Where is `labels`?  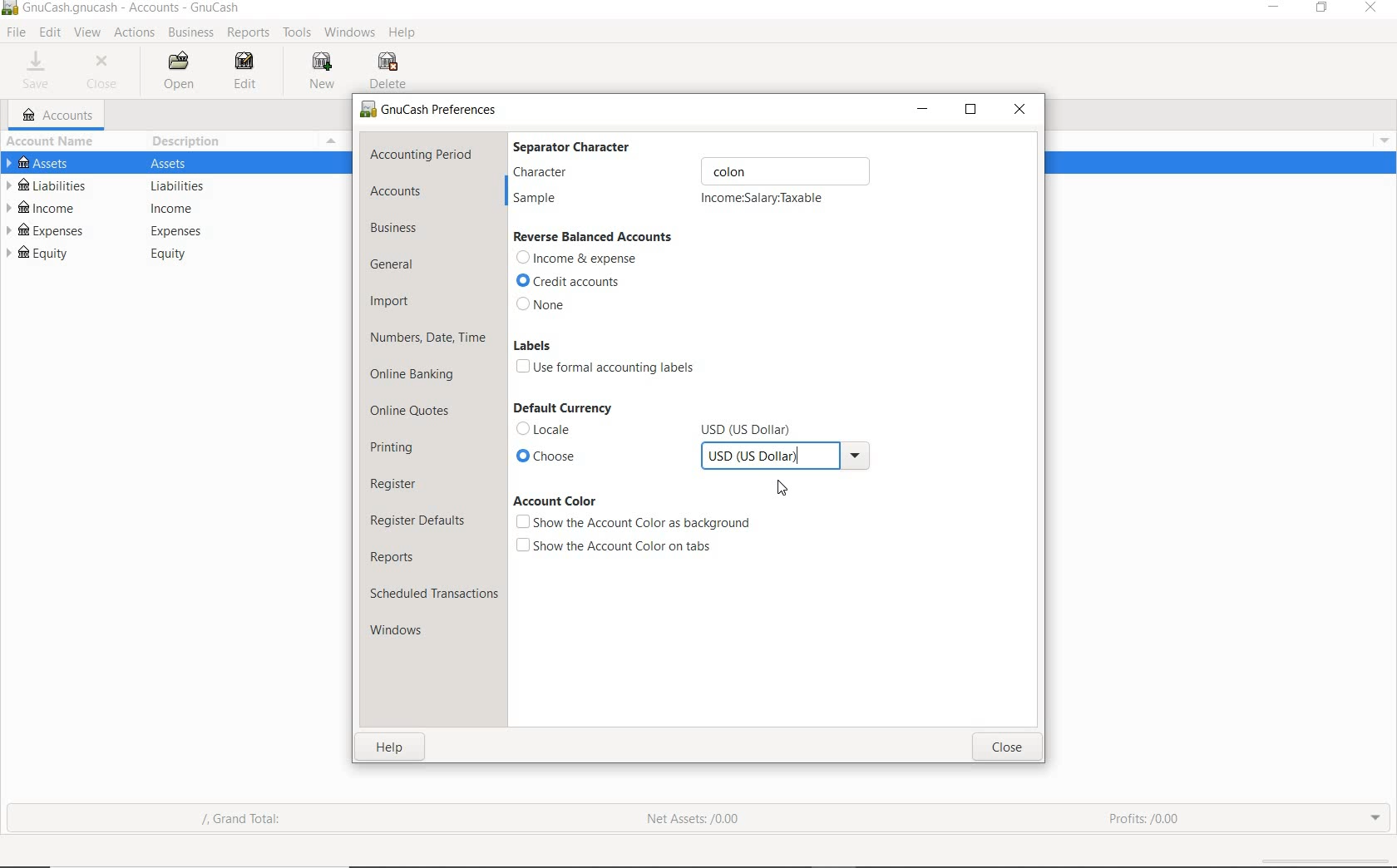
labels is located at coordinates (532, 345).